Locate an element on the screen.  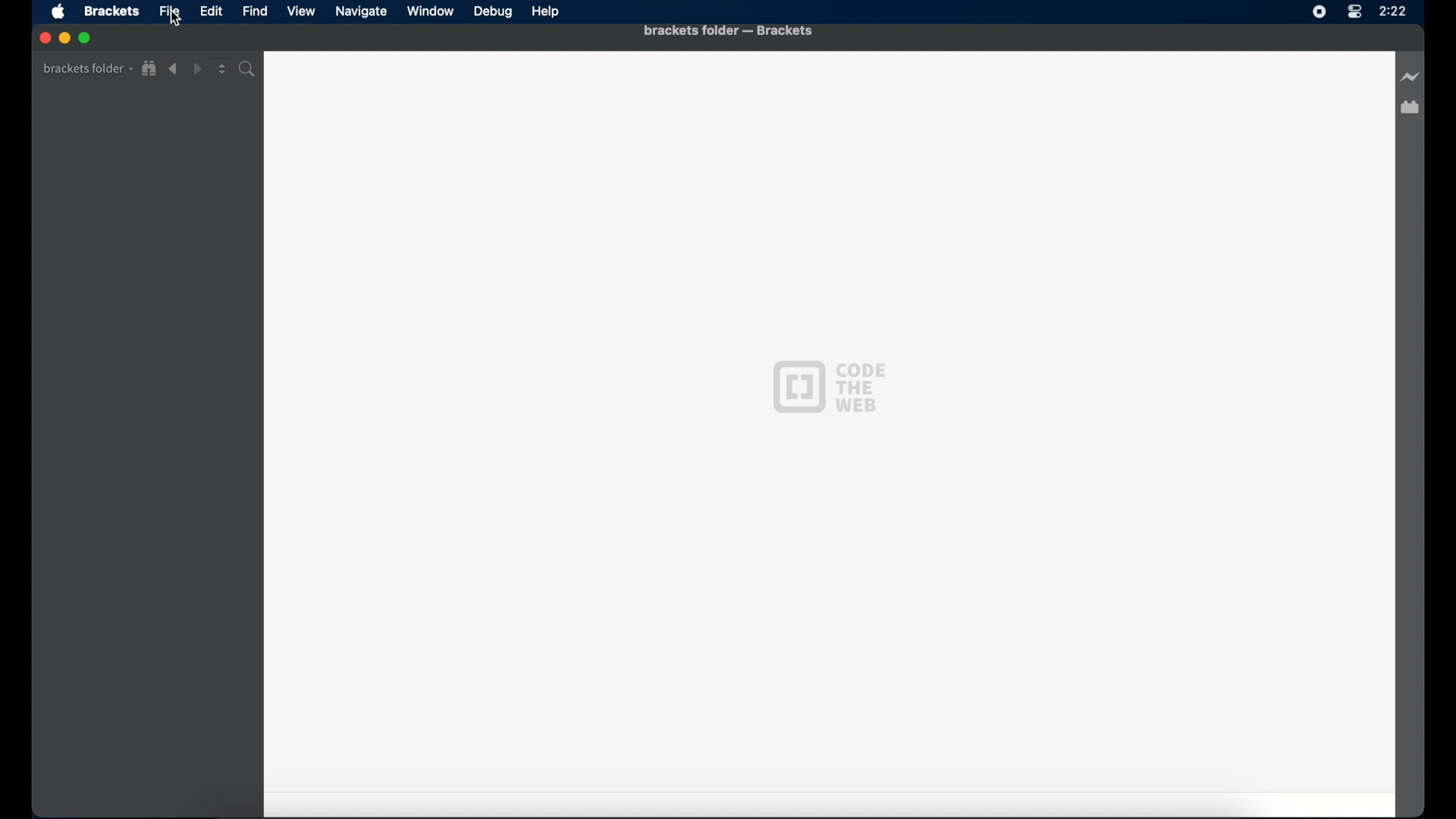
find is located at coordinates (256, 11).